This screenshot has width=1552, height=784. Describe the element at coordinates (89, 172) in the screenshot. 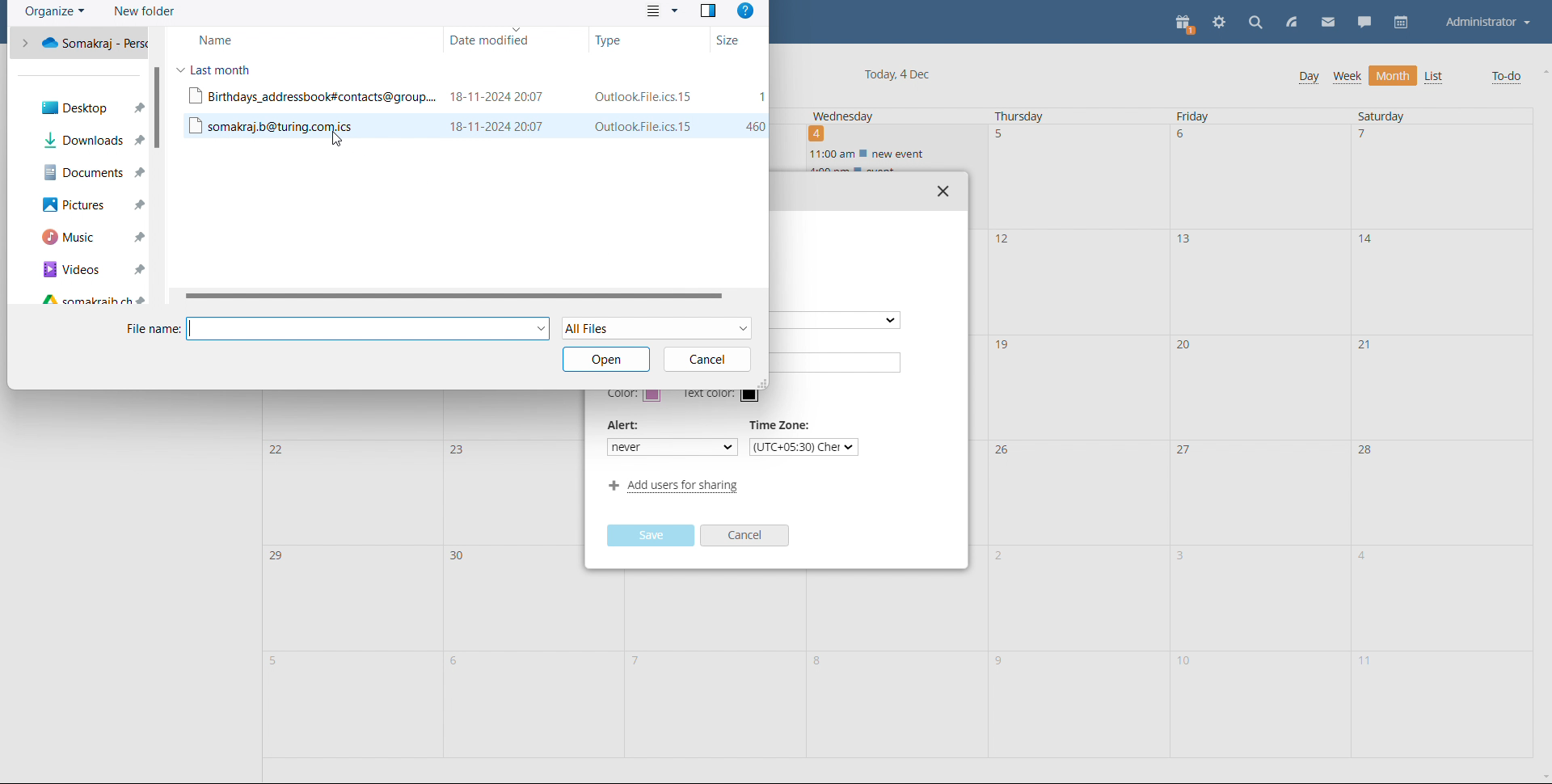

I see `documents` at that location.